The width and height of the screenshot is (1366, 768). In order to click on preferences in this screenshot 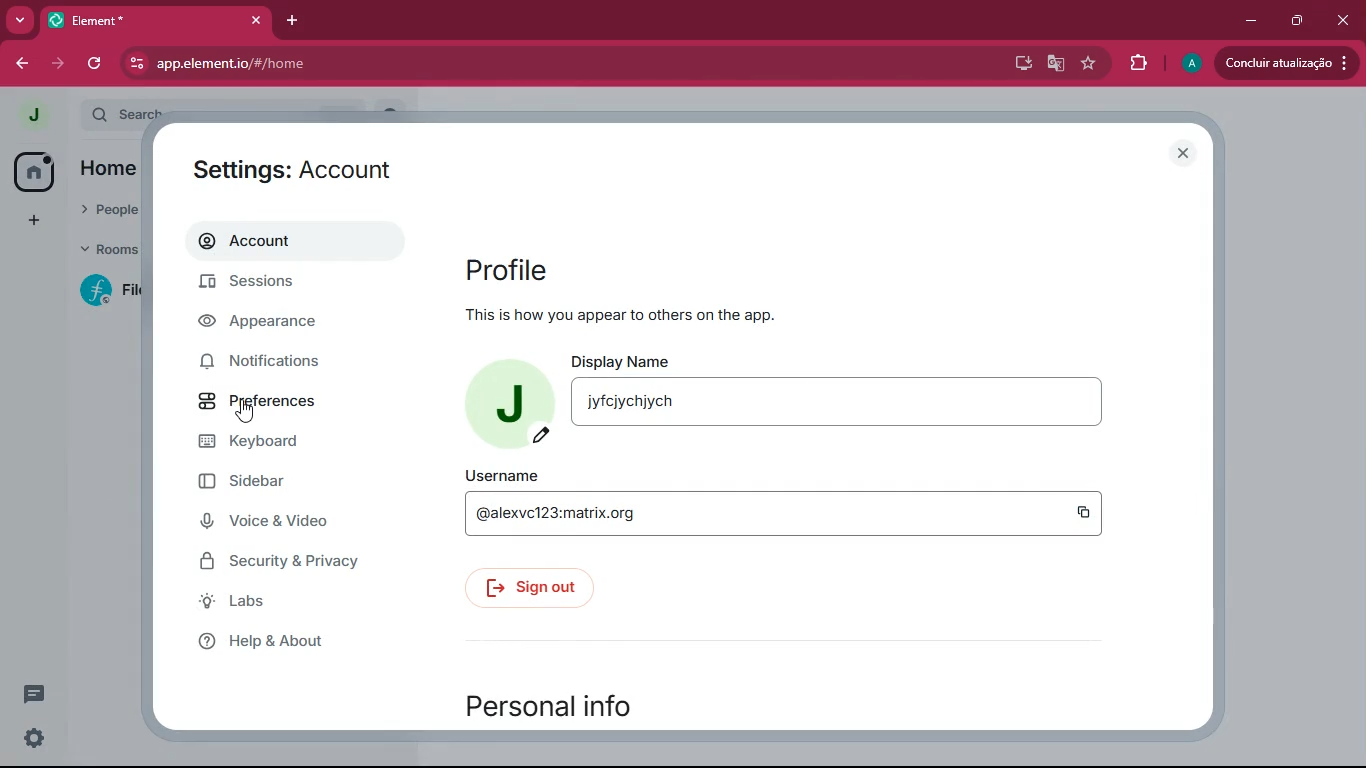, I will do `click(285, 405)`.